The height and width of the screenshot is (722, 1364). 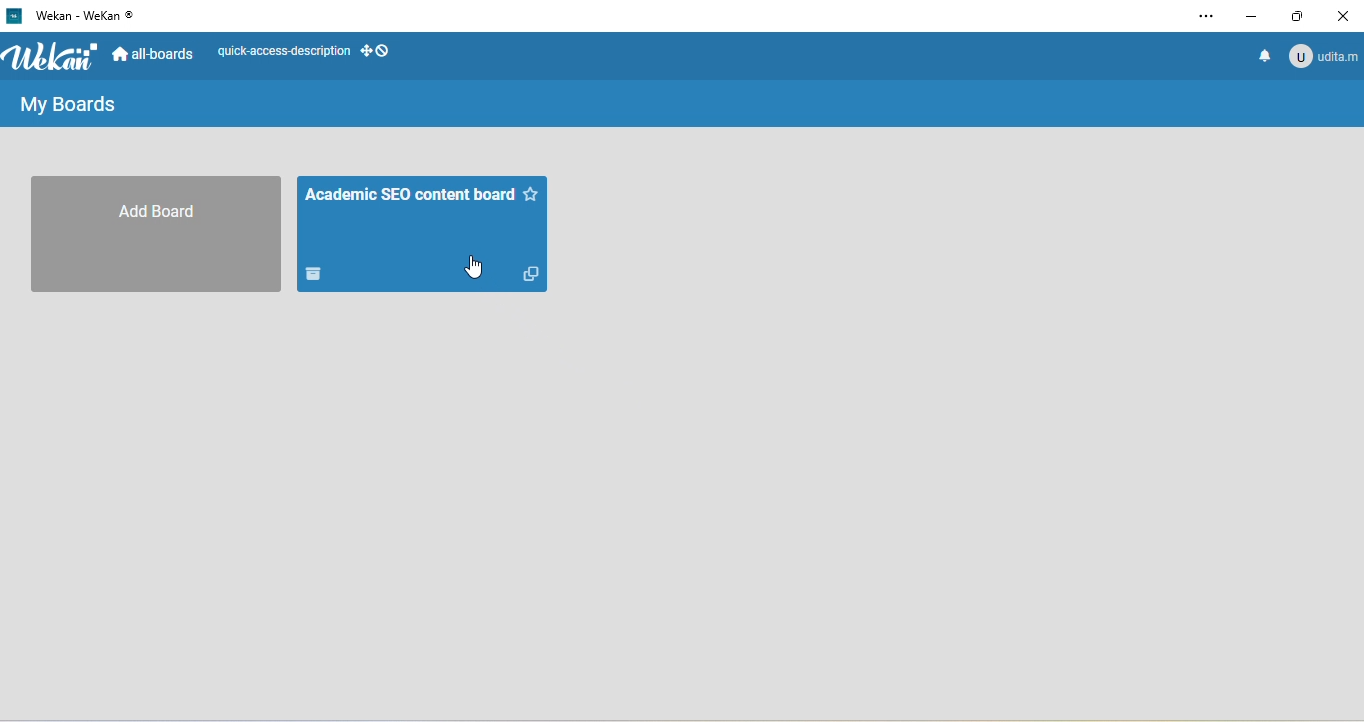 What do you see at coordinates (14, 15) in the screenshot?
I see `logo` at bounding box center [14, 15].